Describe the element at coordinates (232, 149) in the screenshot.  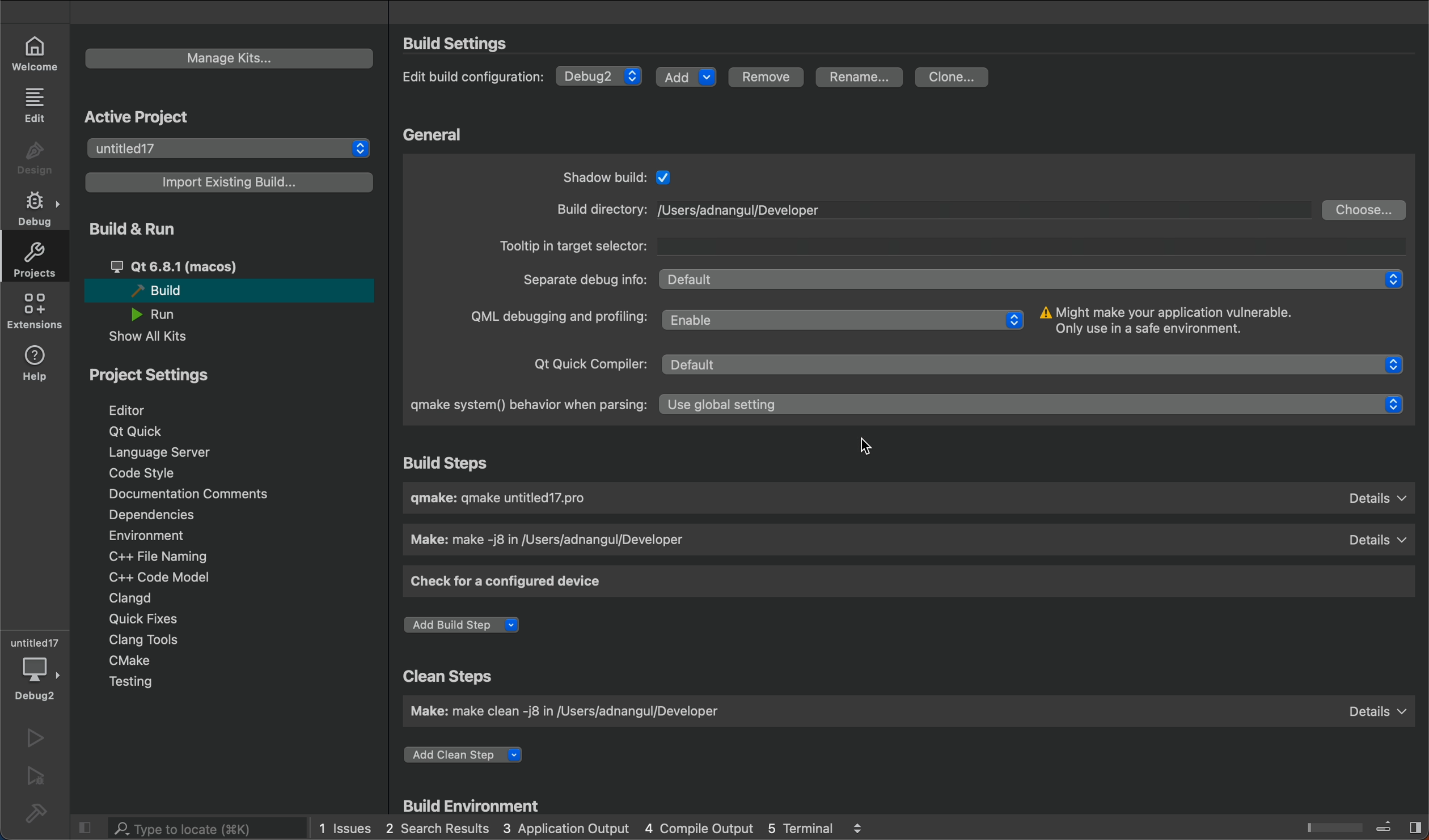
I see `project list to select` at that location.